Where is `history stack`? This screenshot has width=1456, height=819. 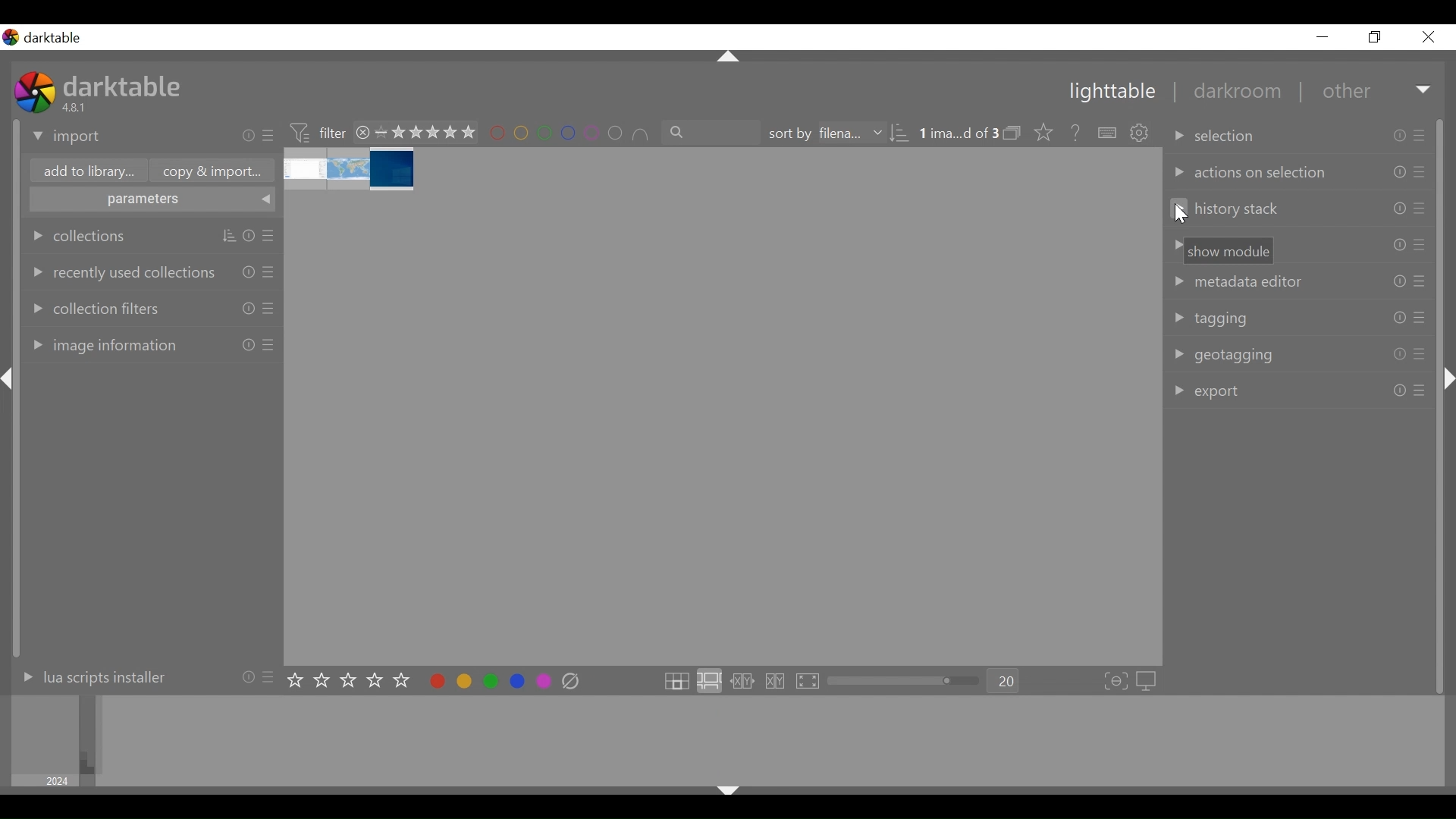 history stack is located at coordinates (1226, 209).